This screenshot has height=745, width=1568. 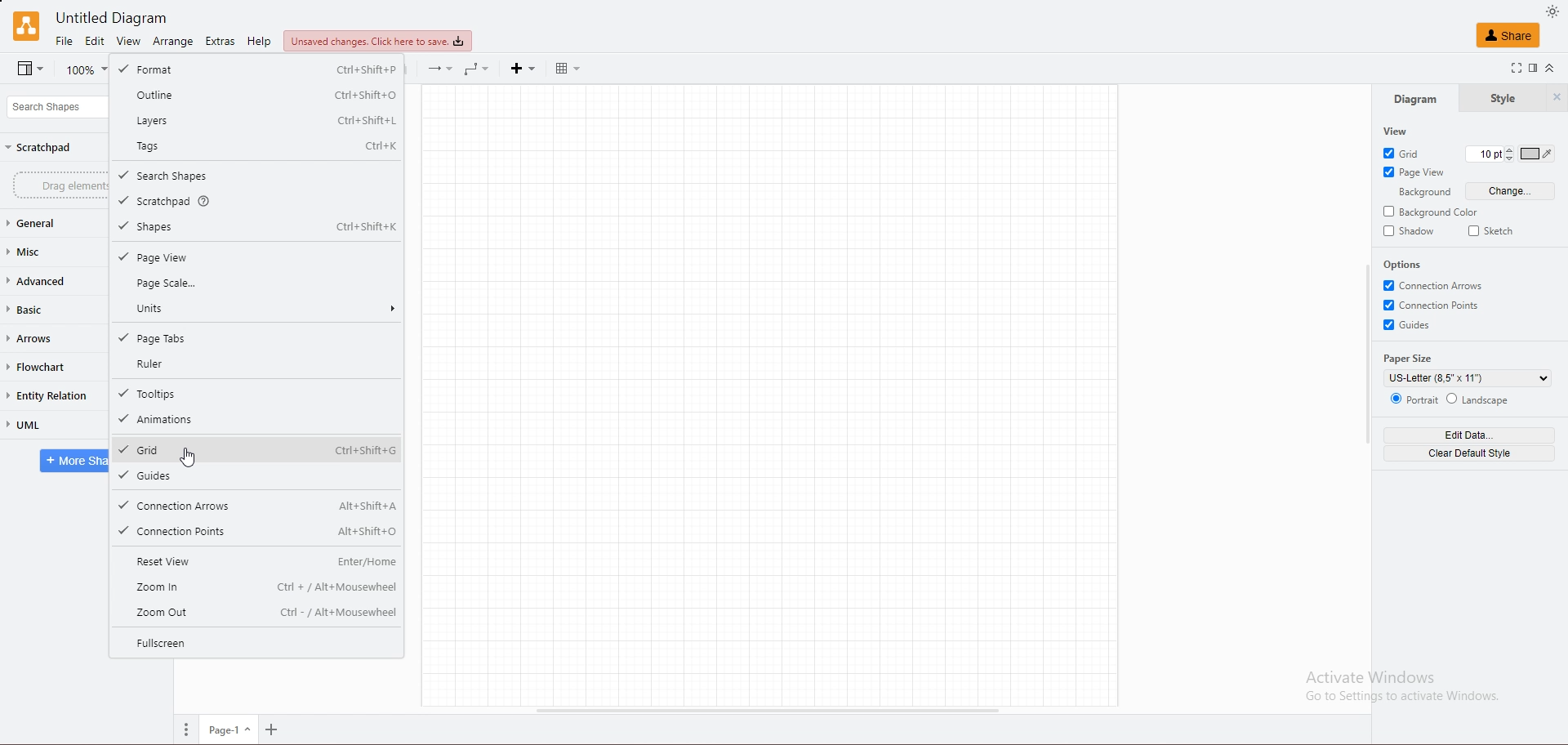 What do you see at coordinates (54, 105) in the screenshot?
I see `search shapes` at bounding box center [54, 105].